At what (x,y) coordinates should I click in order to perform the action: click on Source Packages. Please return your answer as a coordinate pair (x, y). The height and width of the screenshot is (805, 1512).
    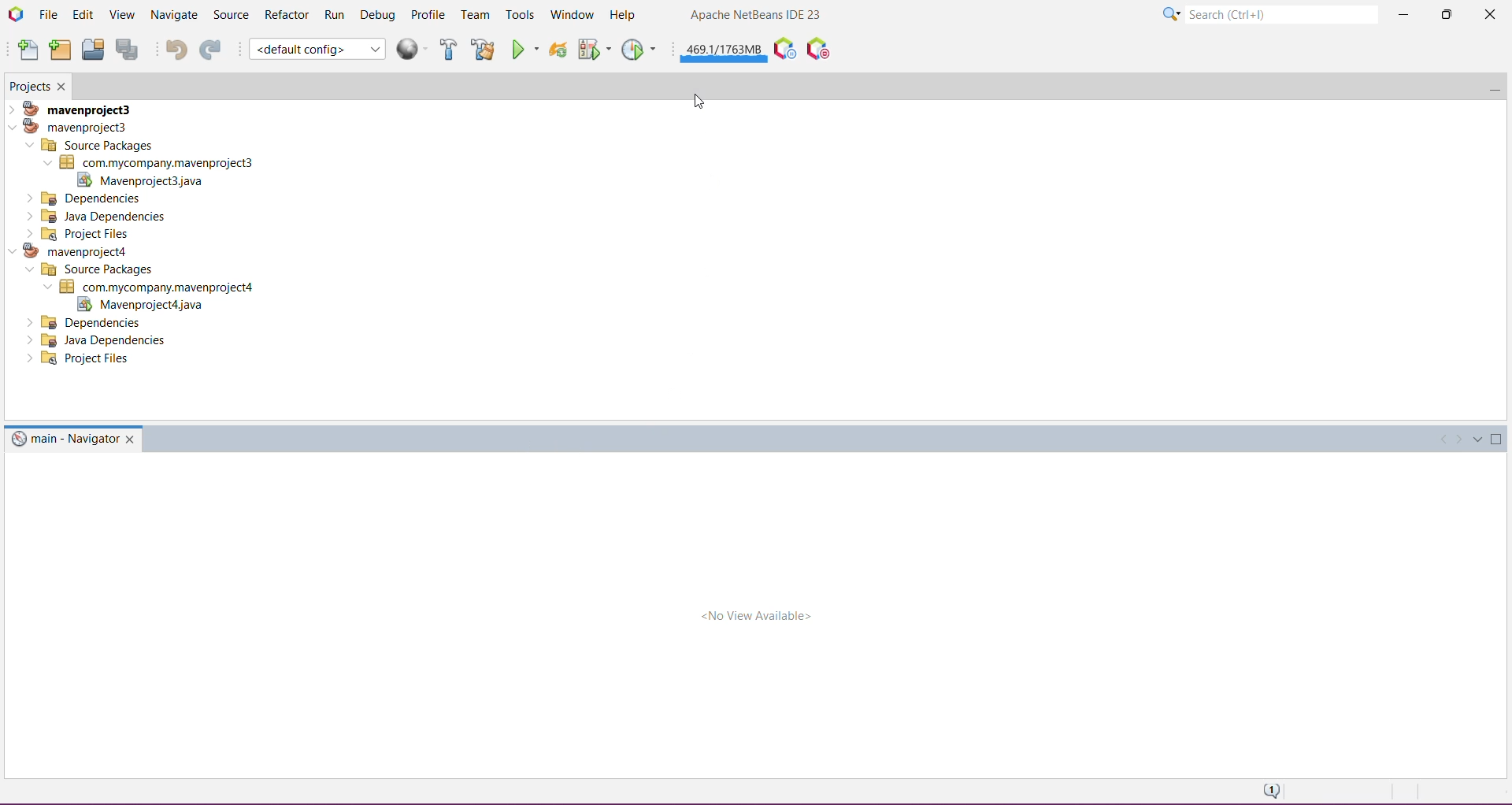
    Looking at the image, I should click on (87, 270).